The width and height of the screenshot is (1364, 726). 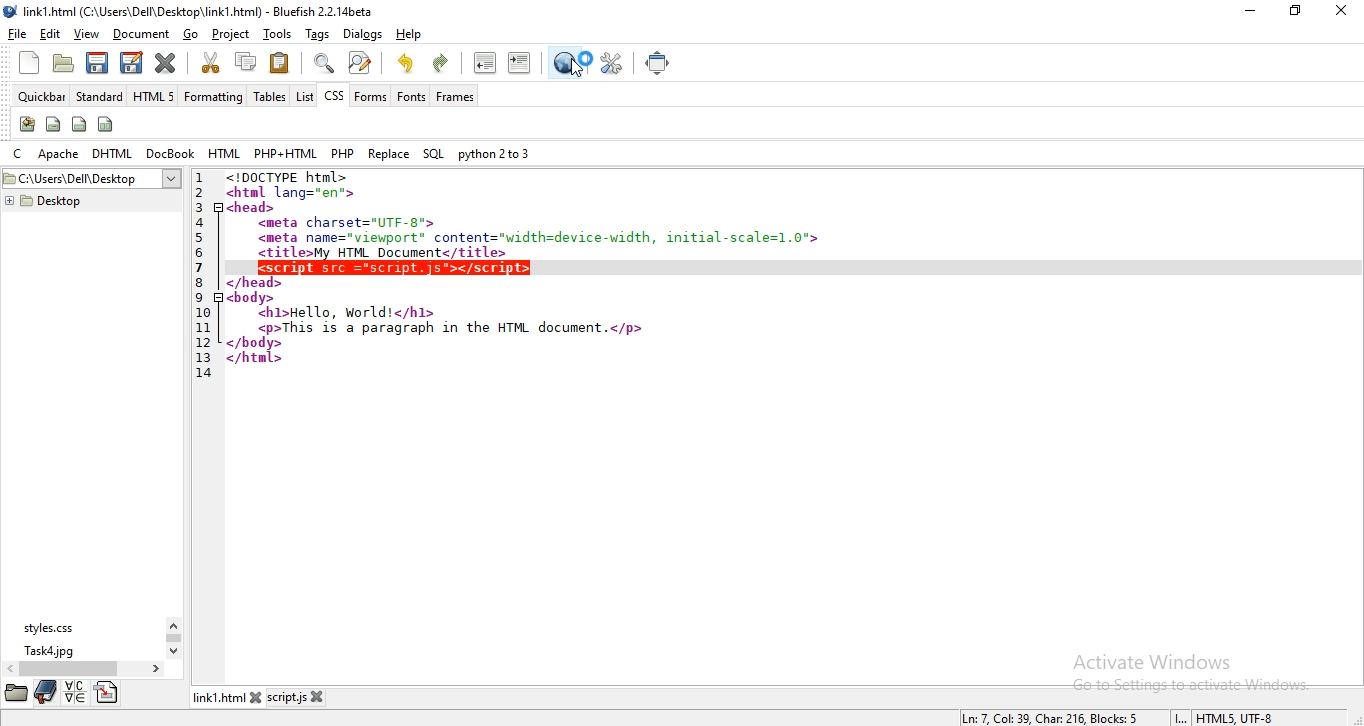 I want to click on docbook, so click(x=169, y=153).